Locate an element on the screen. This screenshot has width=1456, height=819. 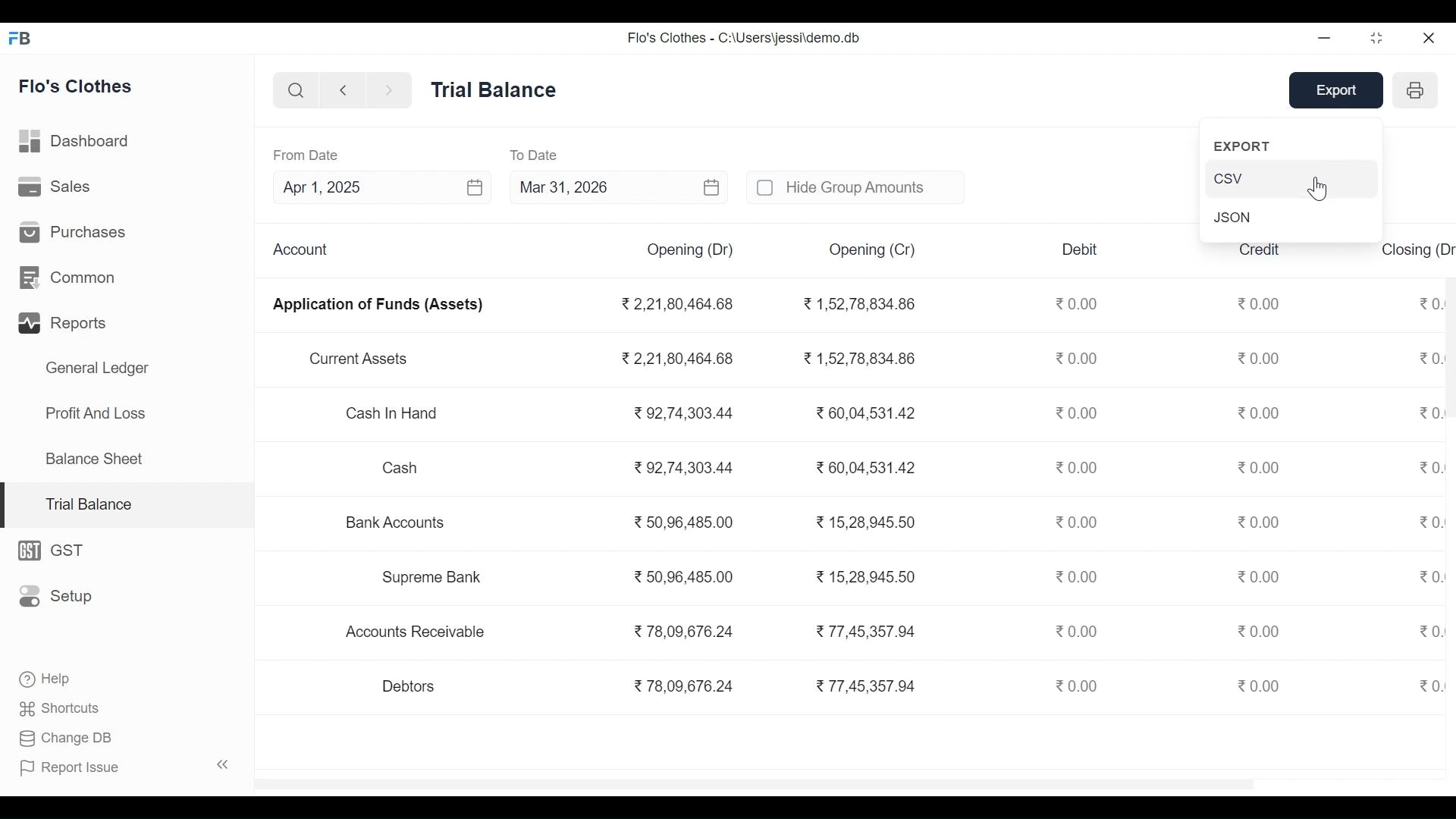
0.00 is located at coordinates (1262, 685).